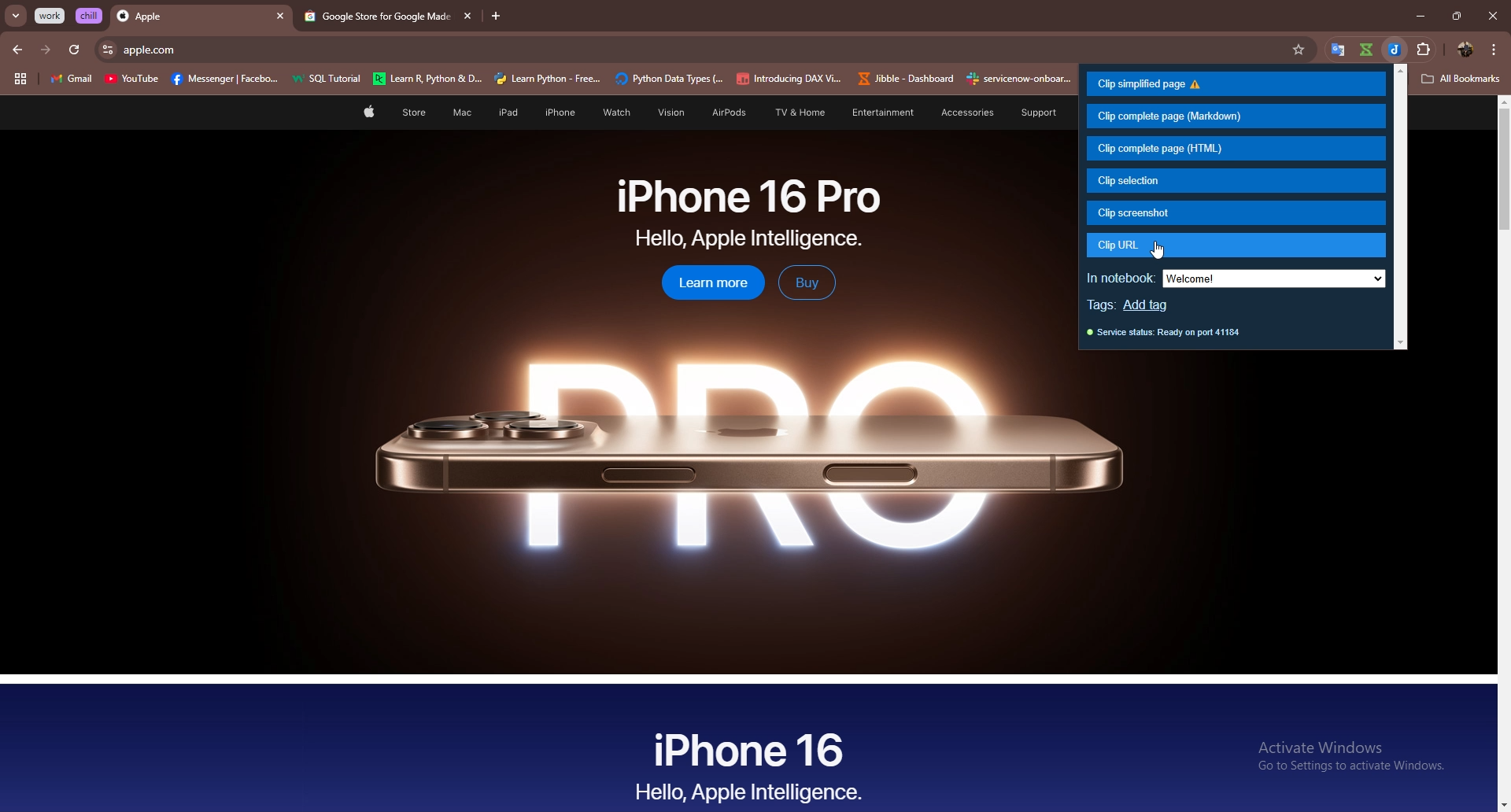  I want to click on Apple, so click(187, 17).